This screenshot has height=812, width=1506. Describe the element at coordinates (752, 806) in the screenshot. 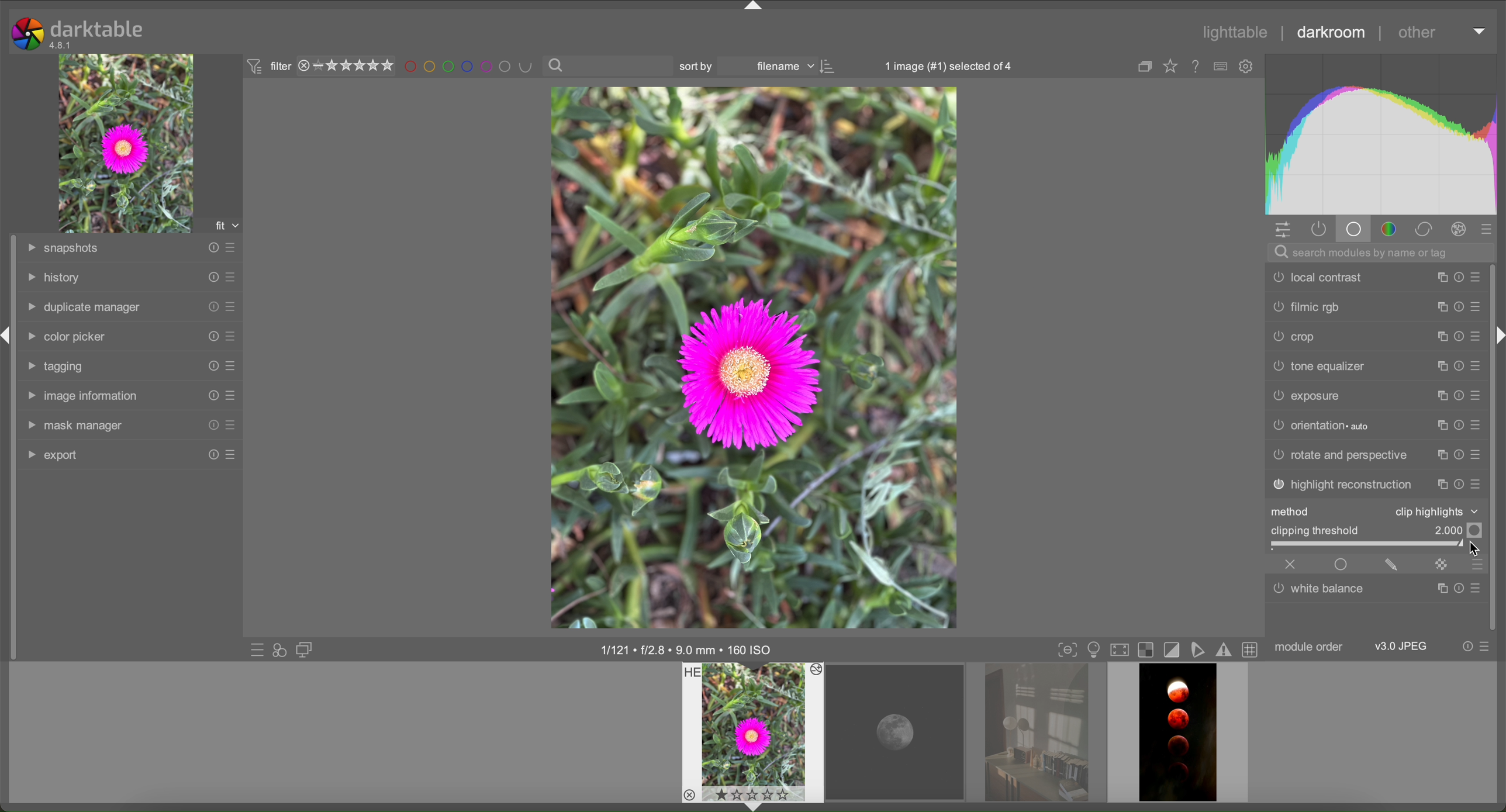

I see `arrow` at that location.